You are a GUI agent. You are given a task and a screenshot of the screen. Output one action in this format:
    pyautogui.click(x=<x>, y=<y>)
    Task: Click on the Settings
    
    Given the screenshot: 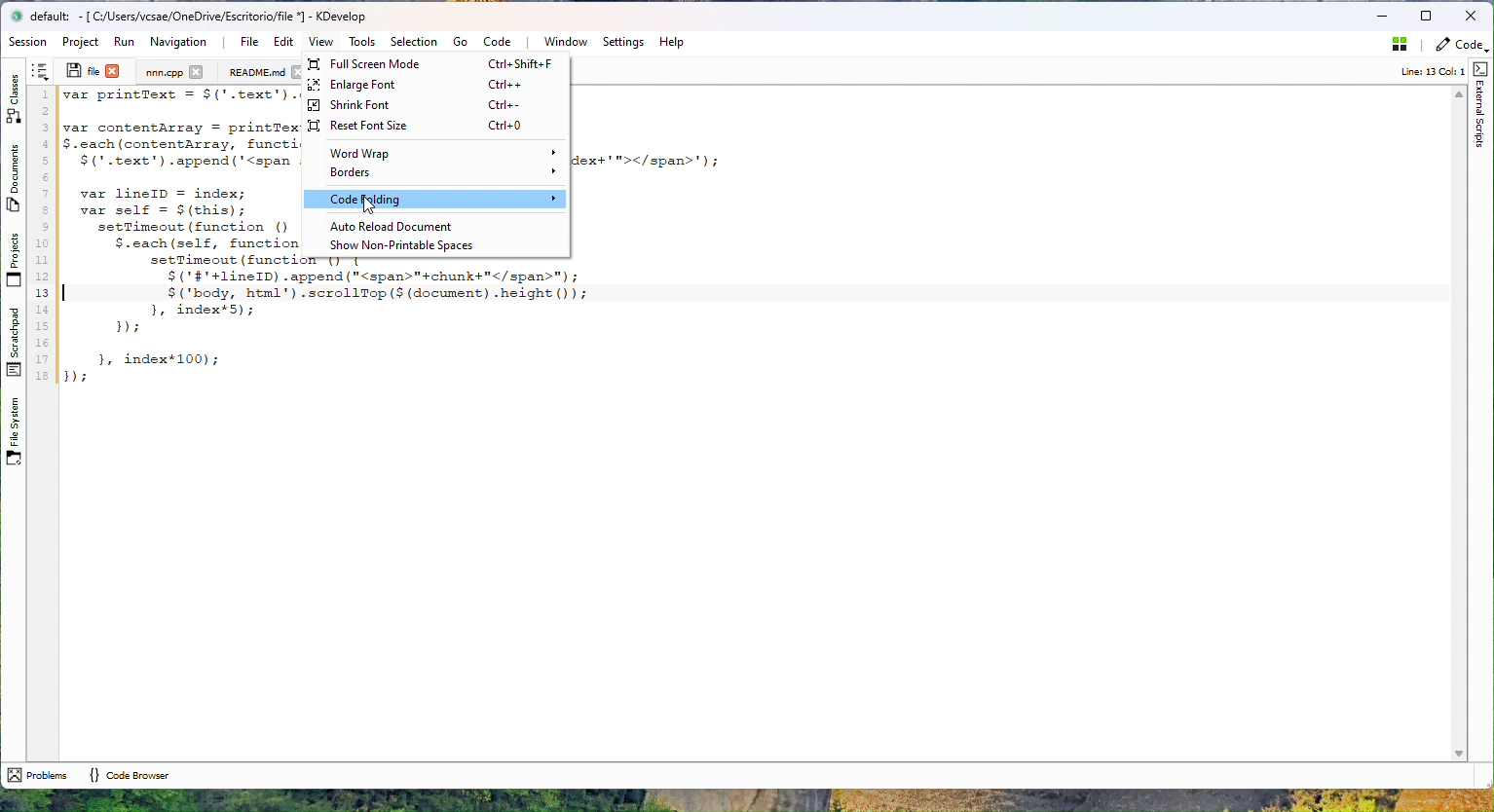 What is the action you would take?
    pyautogui.click(x=622, y=42)
    